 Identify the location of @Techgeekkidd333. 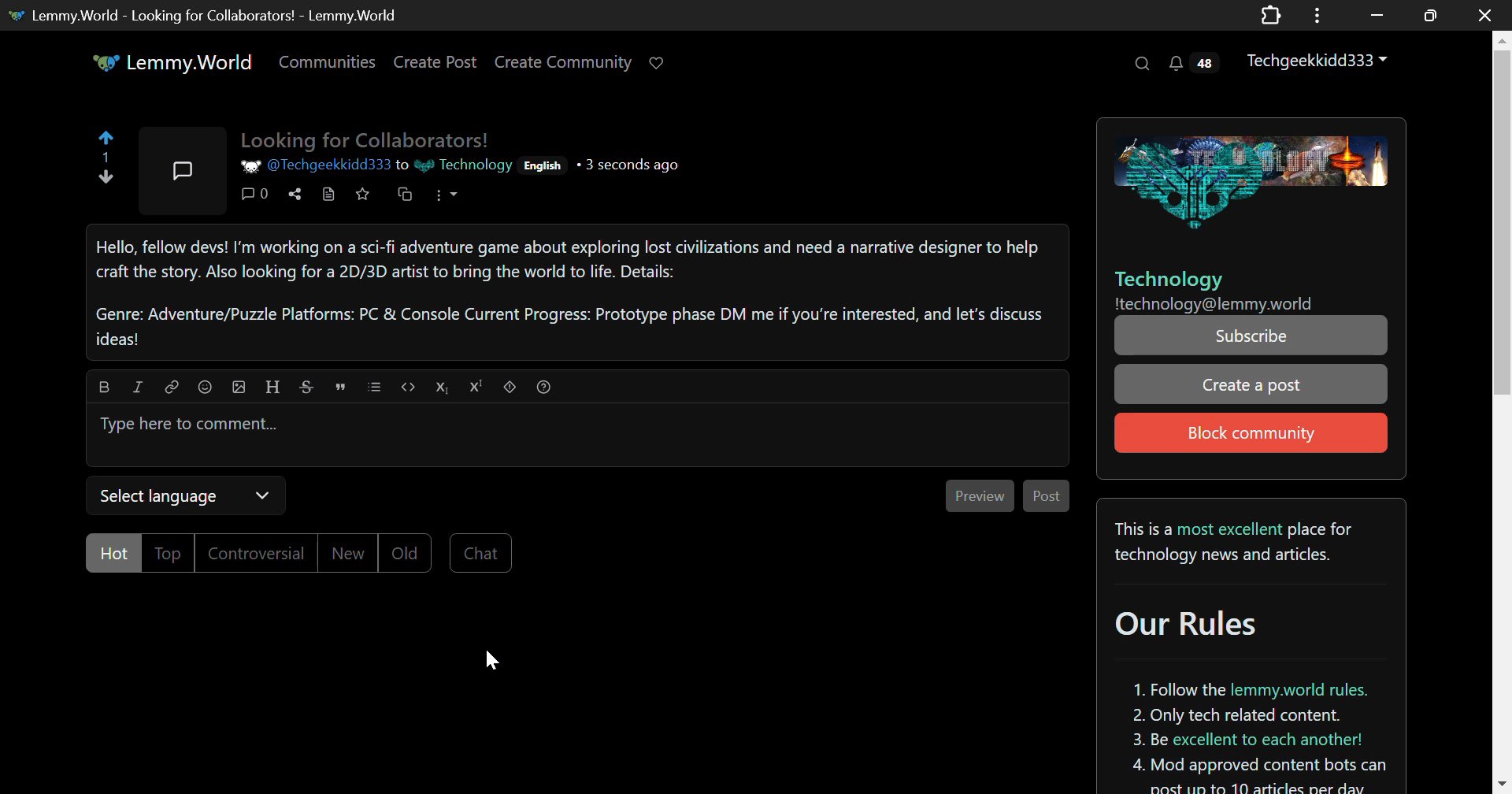
(313, 165).